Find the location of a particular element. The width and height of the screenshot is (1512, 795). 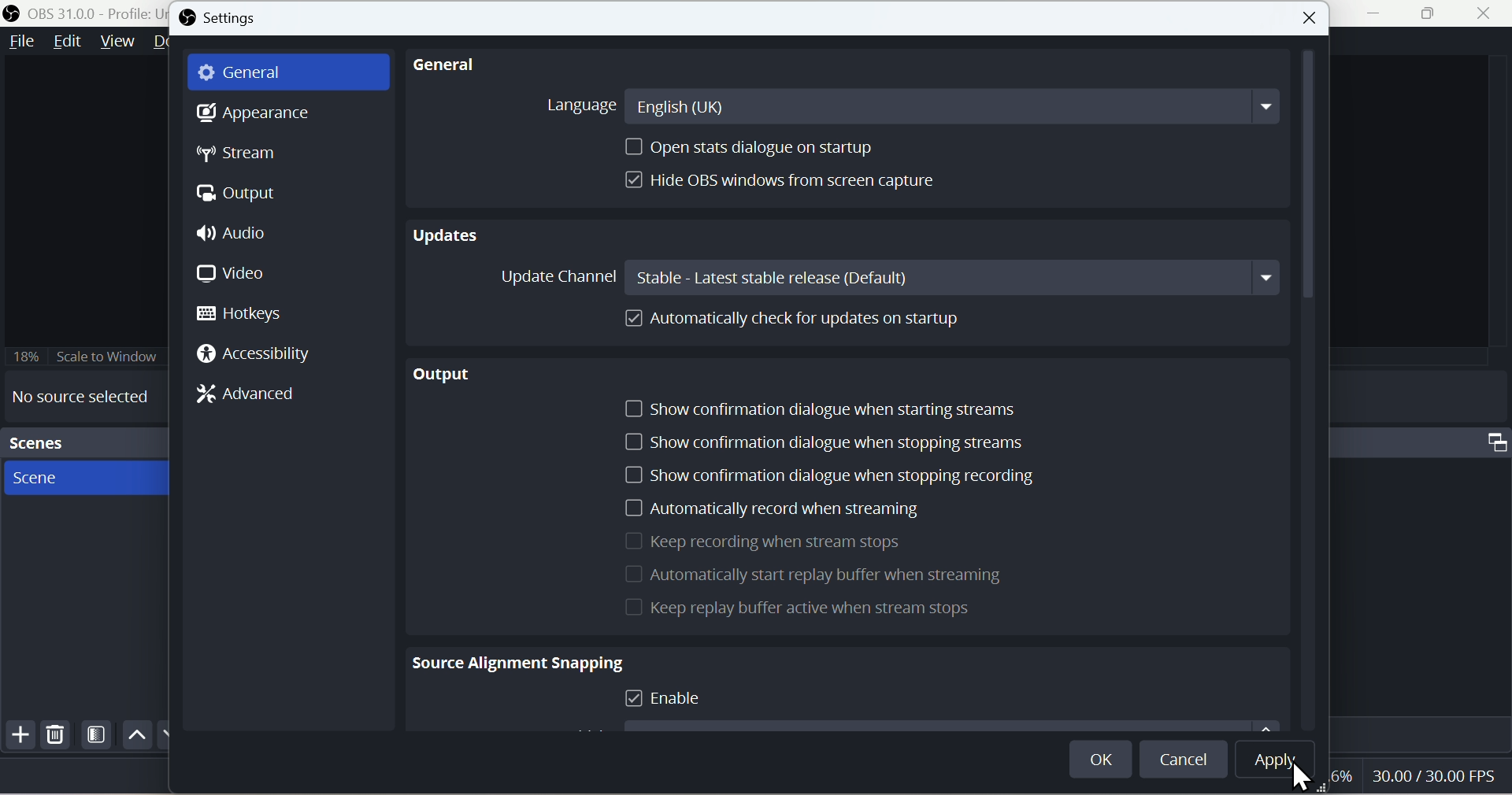

Language is located at coordinates (576, 104).